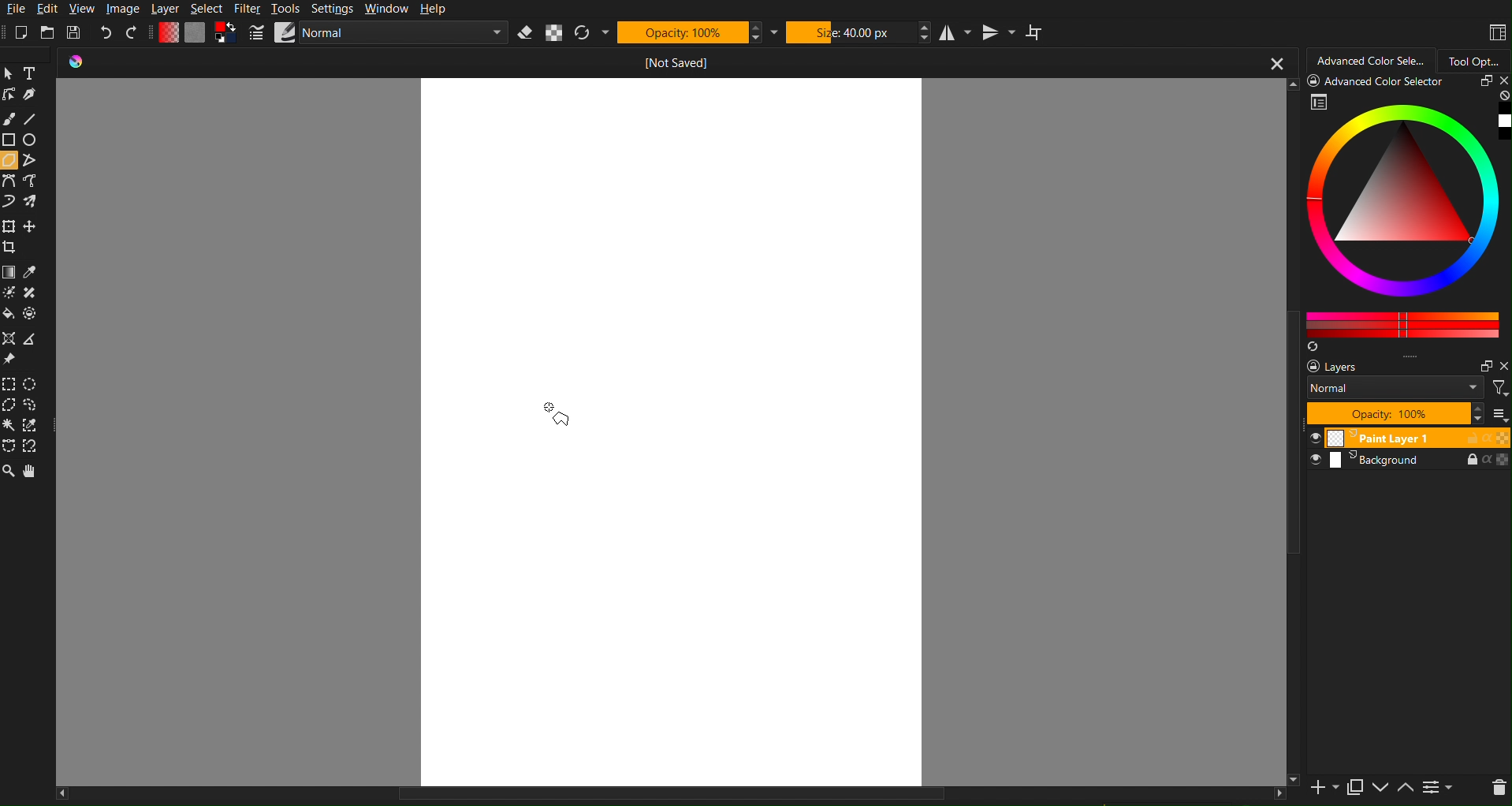  Describe the element at coordinates (132, 32) in the screenshot. I see `Redo` at that location.